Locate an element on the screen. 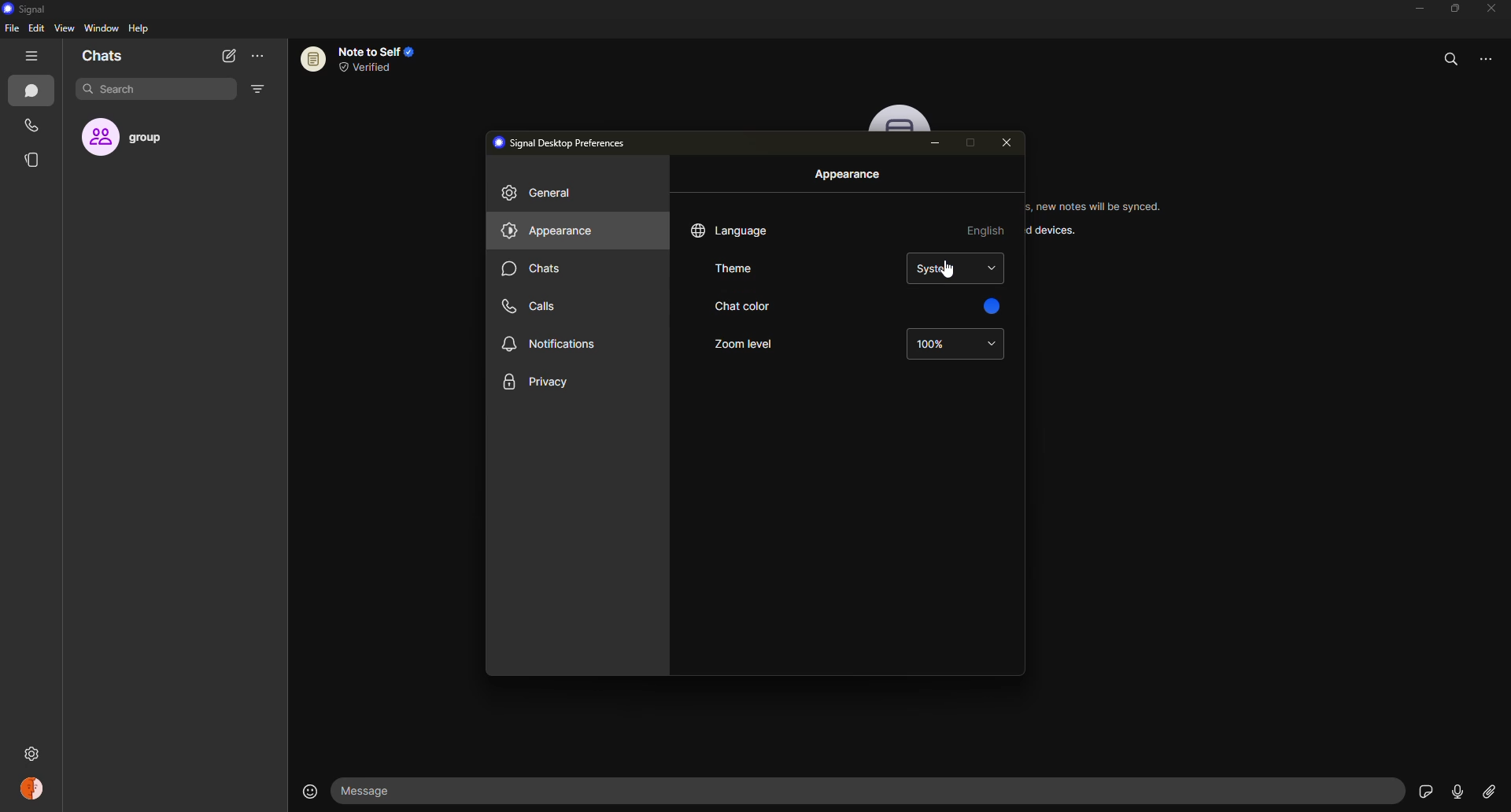 The height and width of the screenshot is (812, 1511). note to self is located at coordinates (365, 58).